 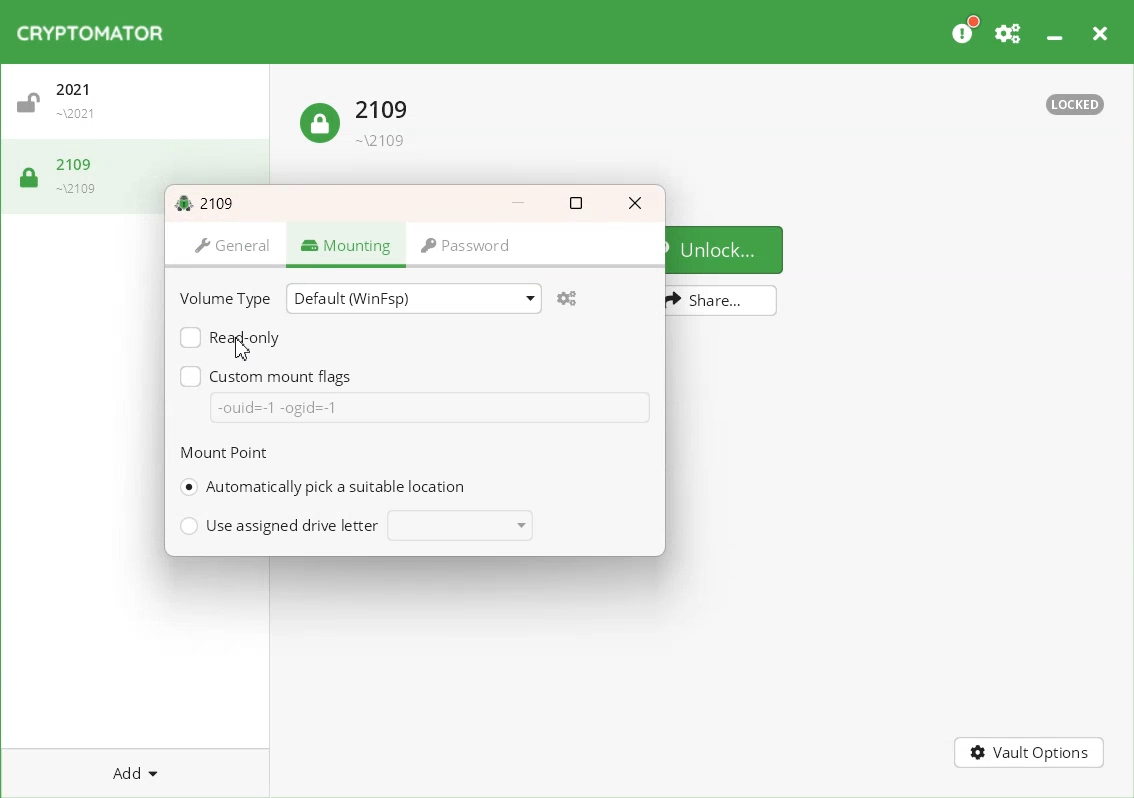 What do you see at coordinates (321, 487) in the screenshot?
I see `Automatically pick a suitable location l` at bounding box center [321, 487].